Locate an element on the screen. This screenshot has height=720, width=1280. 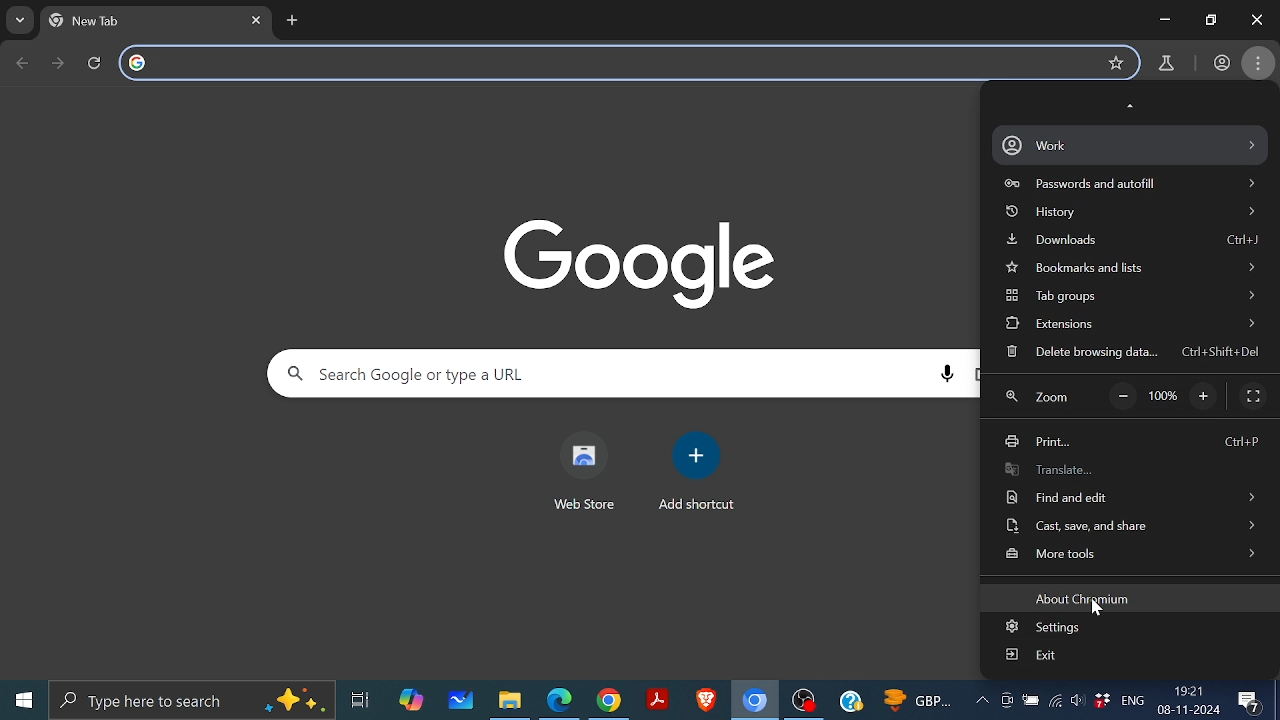
Battery is located at coordinates (1031, 700).